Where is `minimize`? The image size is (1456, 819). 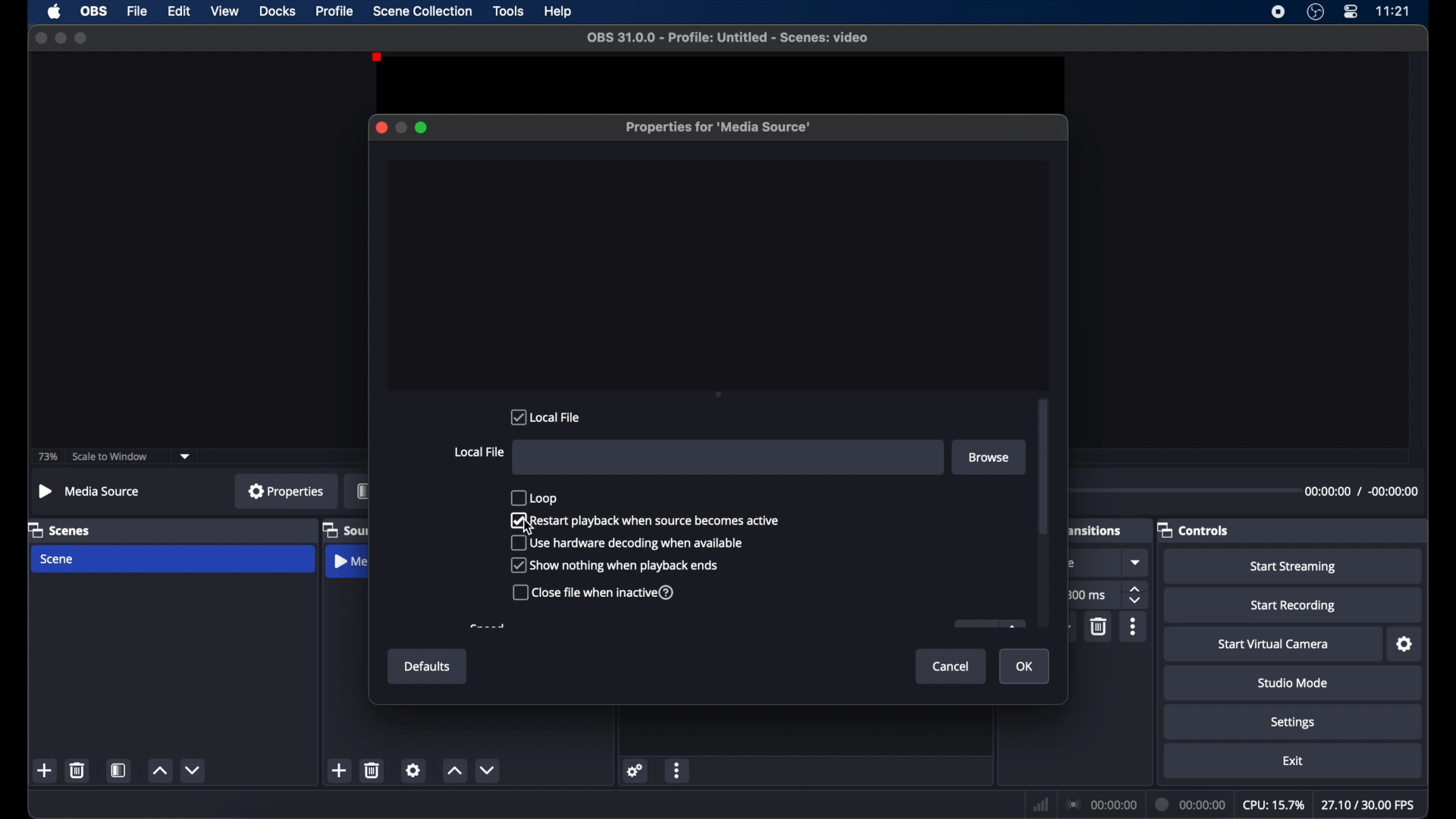
minimize is located at coordinates (60, 38).